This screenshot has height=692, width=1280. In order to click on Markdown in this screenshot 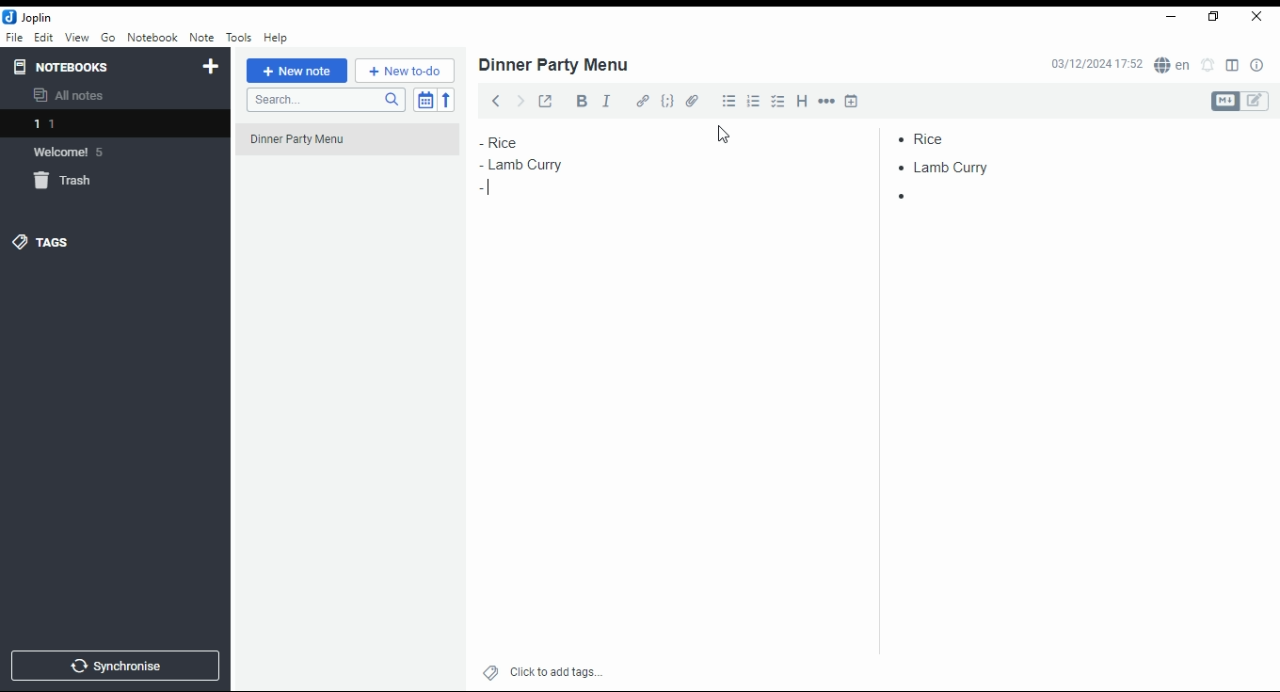, I will do `click(1224, 101)`.